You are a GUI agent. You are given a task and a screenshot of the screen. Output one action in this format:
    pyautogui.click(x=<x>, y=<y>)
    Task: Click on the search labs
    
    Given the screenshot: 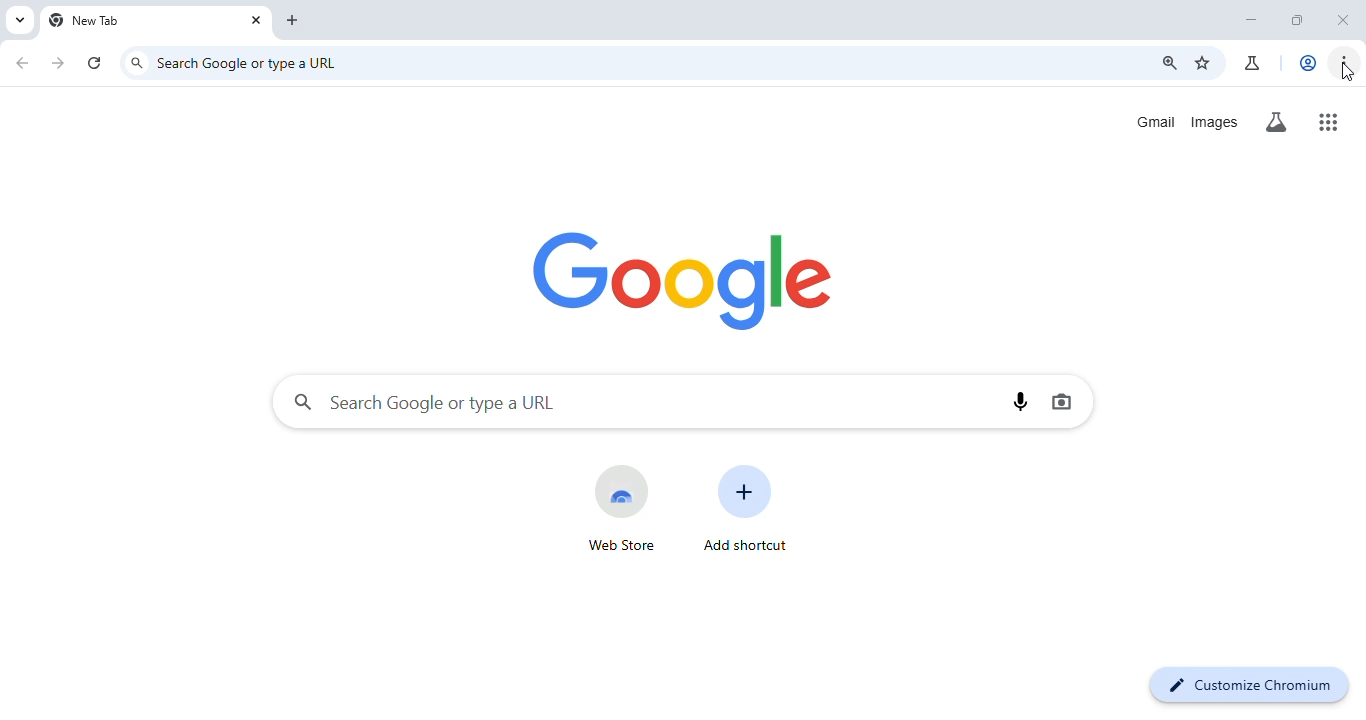 What is the action you would take?
    pyautogui.click(x=1278, y=122)
    